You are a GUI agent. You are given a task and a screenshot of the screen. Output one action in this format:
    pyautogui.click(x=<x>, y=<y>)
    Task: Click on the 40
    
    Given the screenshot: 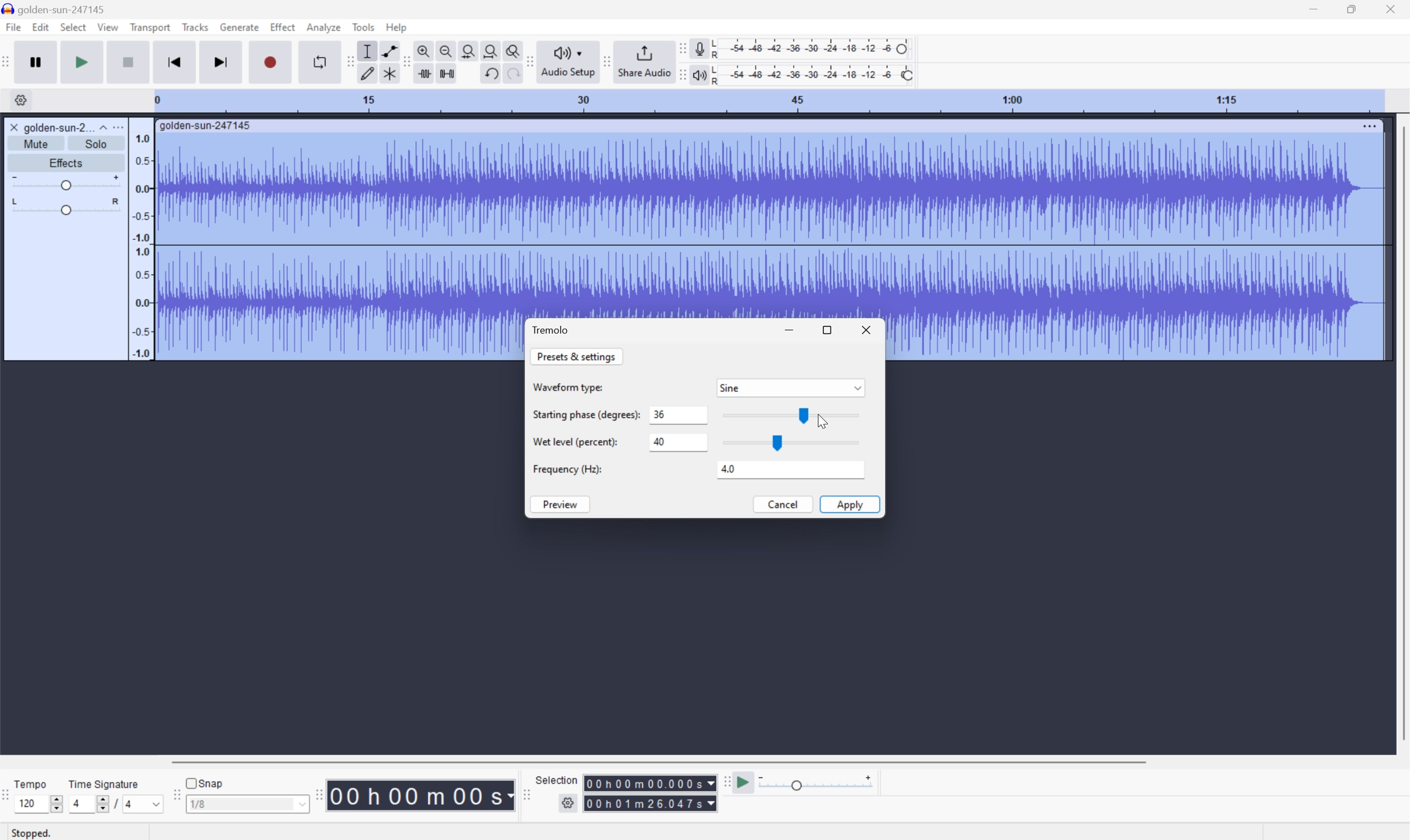 What is the action you would take?
    pyautogui.click(x=681, y=444)
    